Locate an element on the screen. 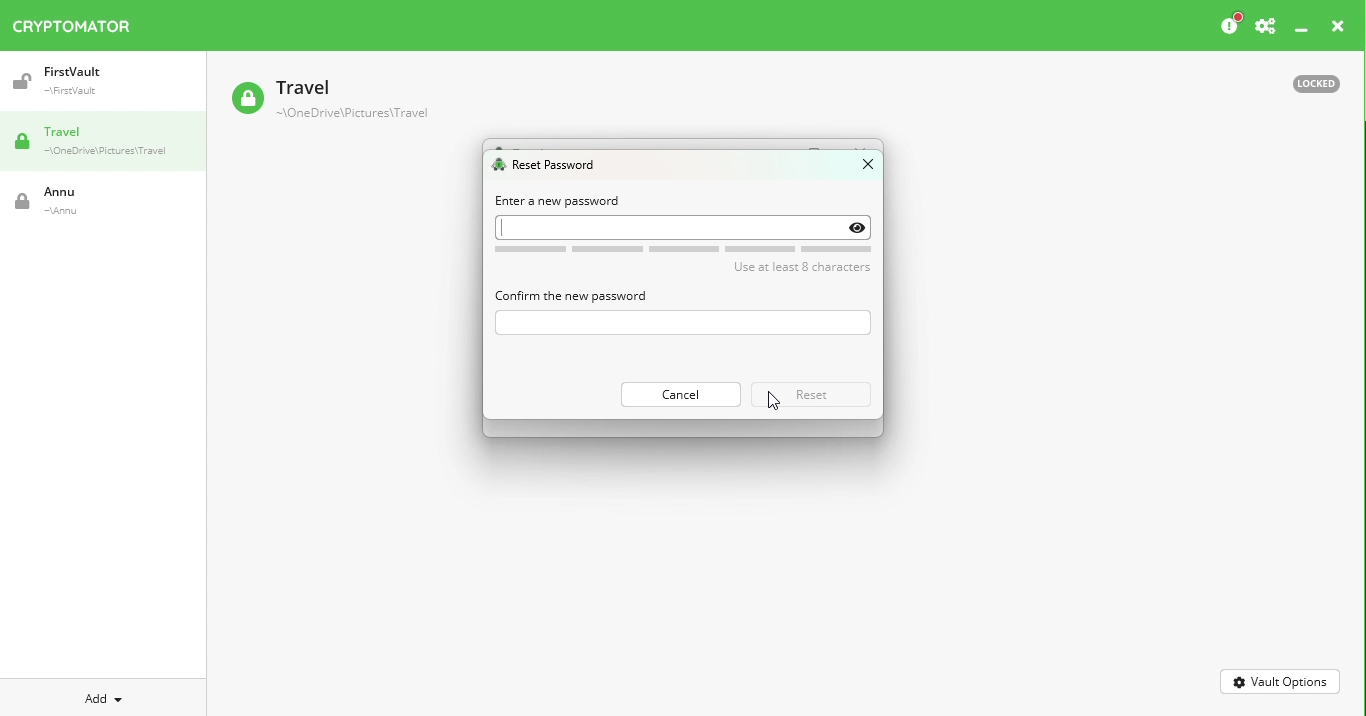 The width and height of the screenshot is (1366, 716). Use at least 8 characters is located at coordinates (689, 259).